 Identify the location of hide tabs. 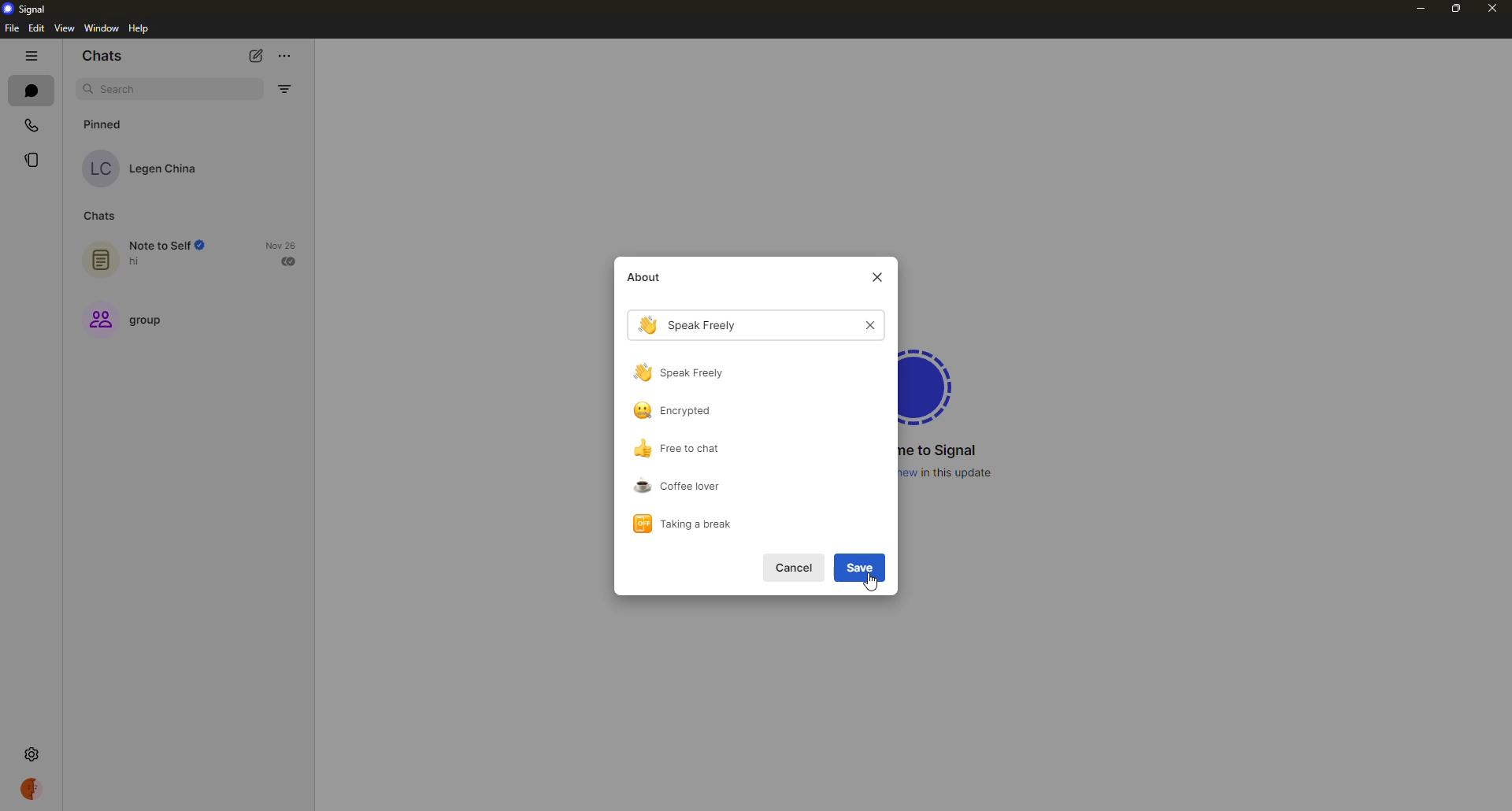
(31, 55).